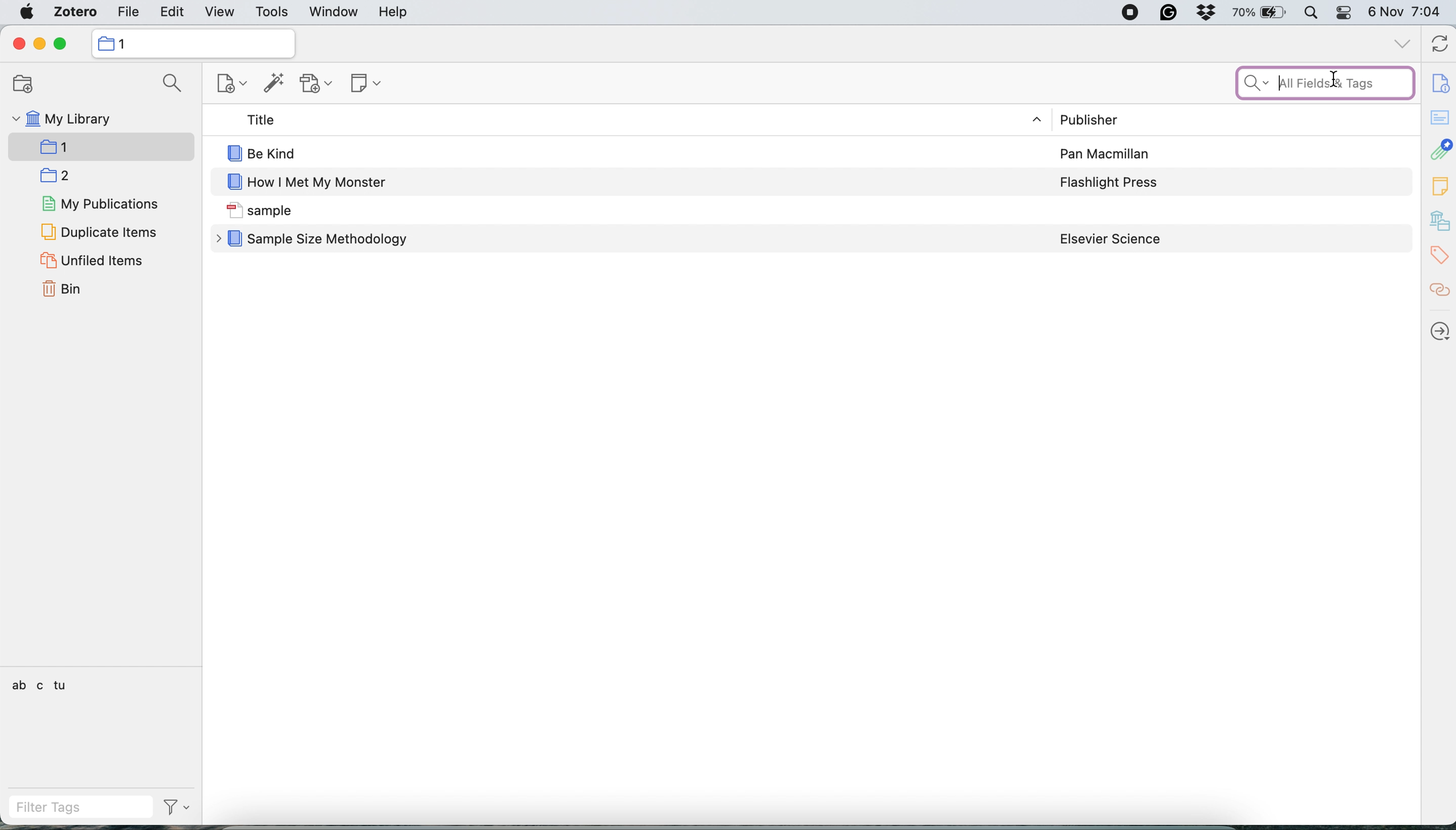 The width and height of the screenshot is (1456, 830). What do you see at coordinates (39, 44) in the screenshot?
I see `minimise` at bounding box center [39, 44].